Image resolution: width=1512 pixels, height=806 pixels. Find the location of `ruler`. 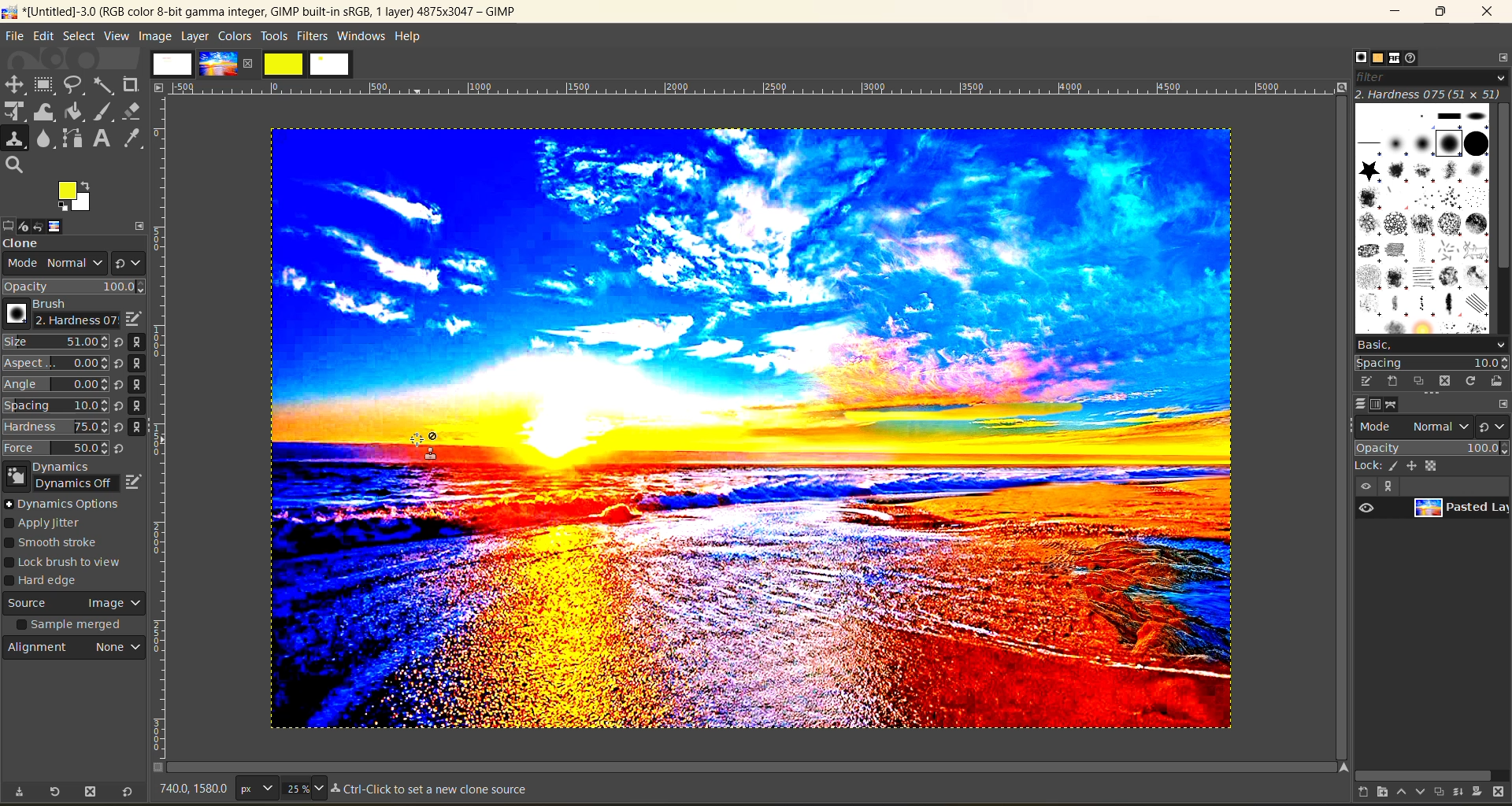

ruler is located at coordinates (757, 88).